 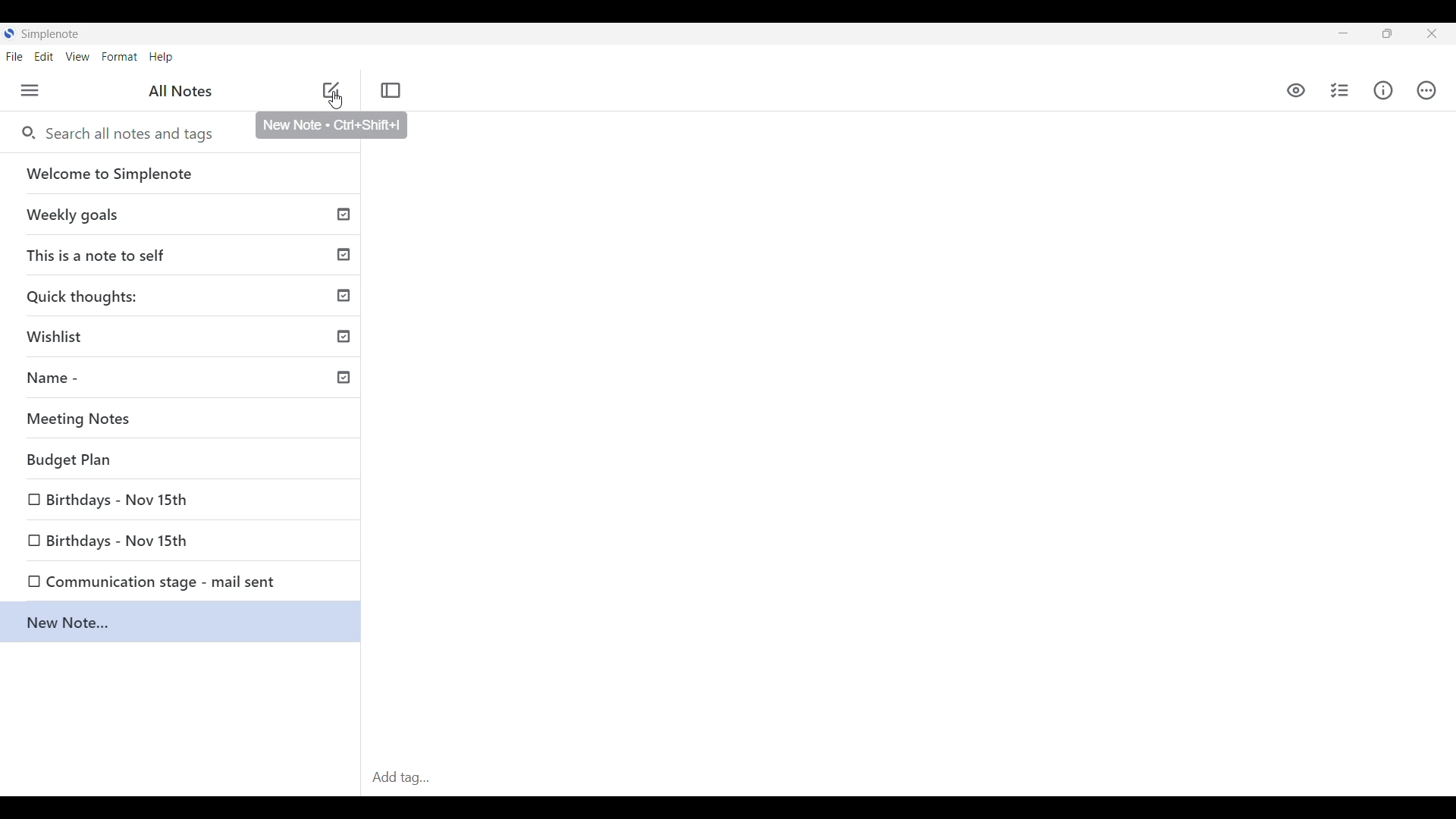 I want to click on Format, so click(x=120, y=57).